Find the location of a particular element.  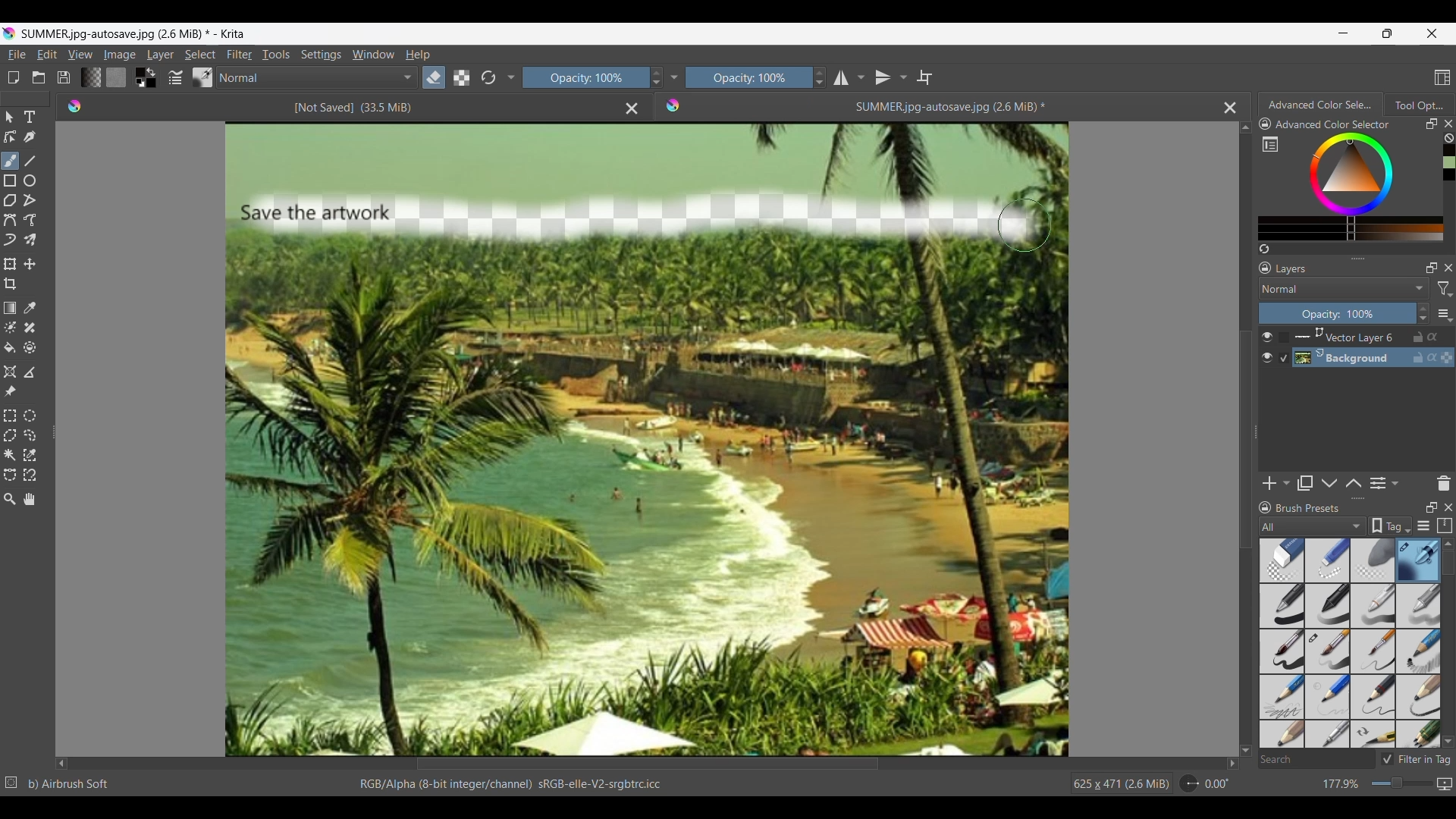

Filter in Tag is located at coordinates (1416, 759).